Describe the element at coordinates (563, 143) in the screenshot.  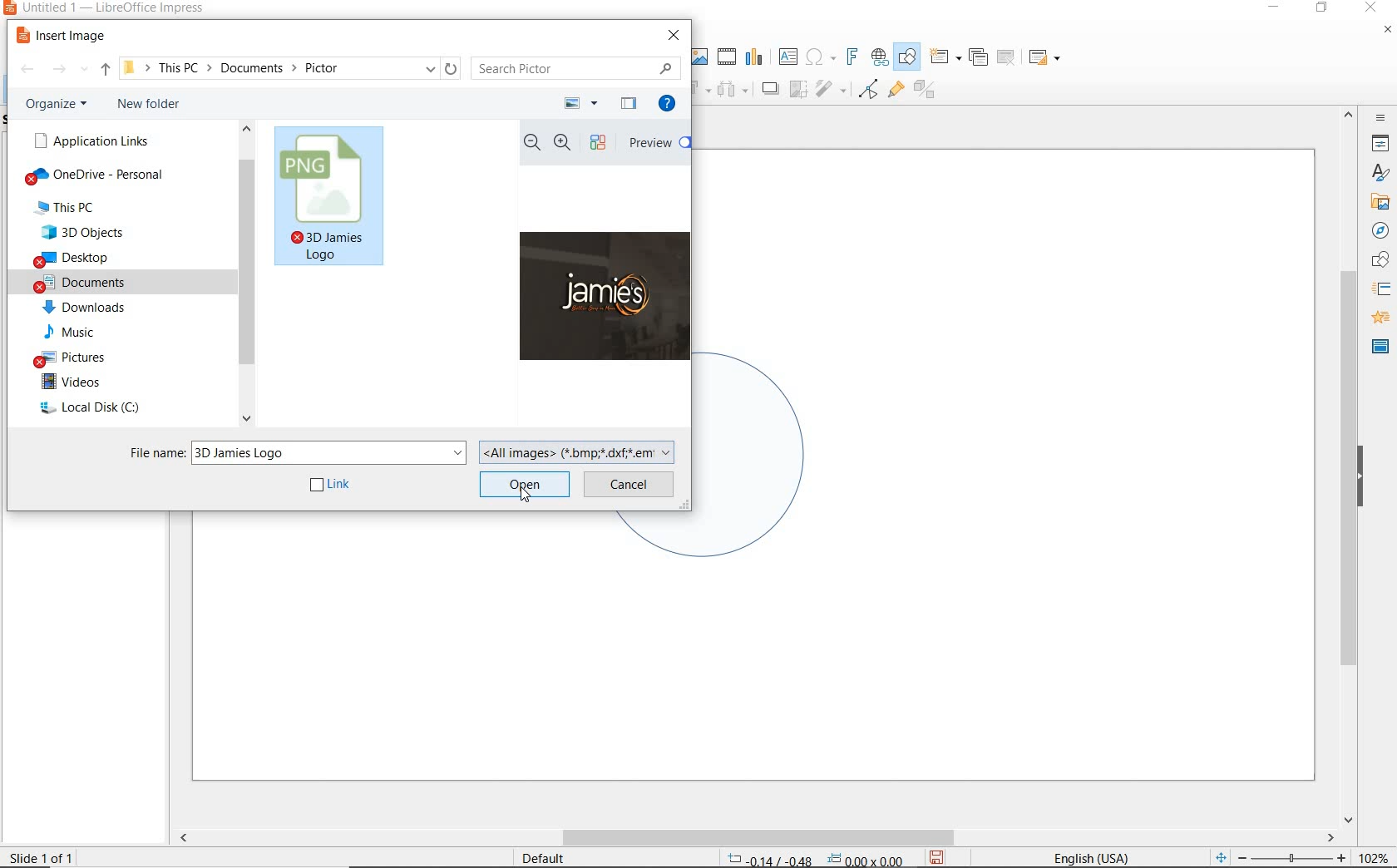
I see `zoom in ` at that location.